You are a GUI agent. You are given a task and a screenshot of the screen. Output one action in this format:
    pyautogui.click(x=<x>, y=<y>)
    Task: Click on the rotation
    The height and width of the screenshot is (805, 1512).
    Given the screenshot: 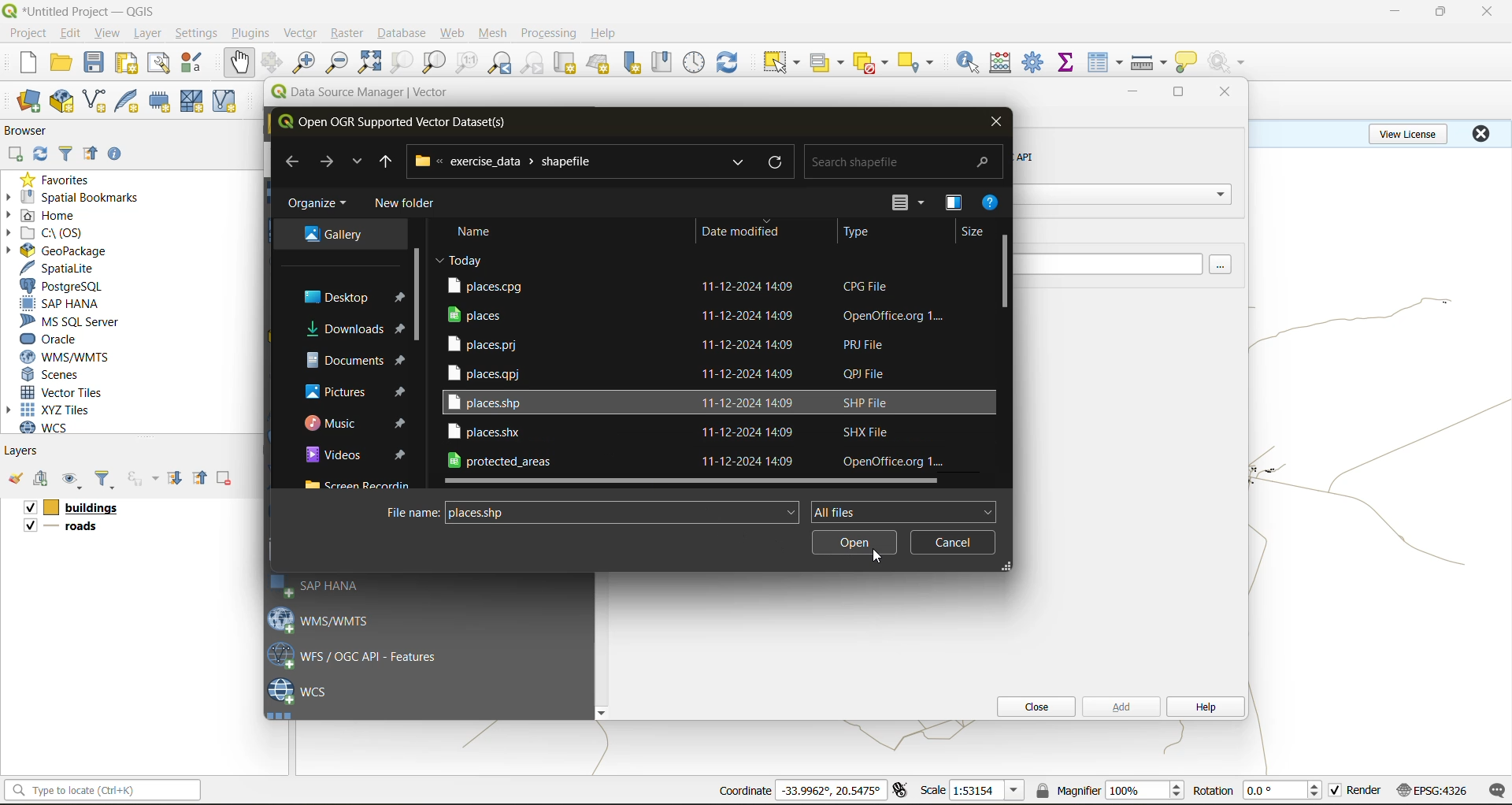 What is the action you would take?
    pyautogui.click(x=1213, y=791)
    